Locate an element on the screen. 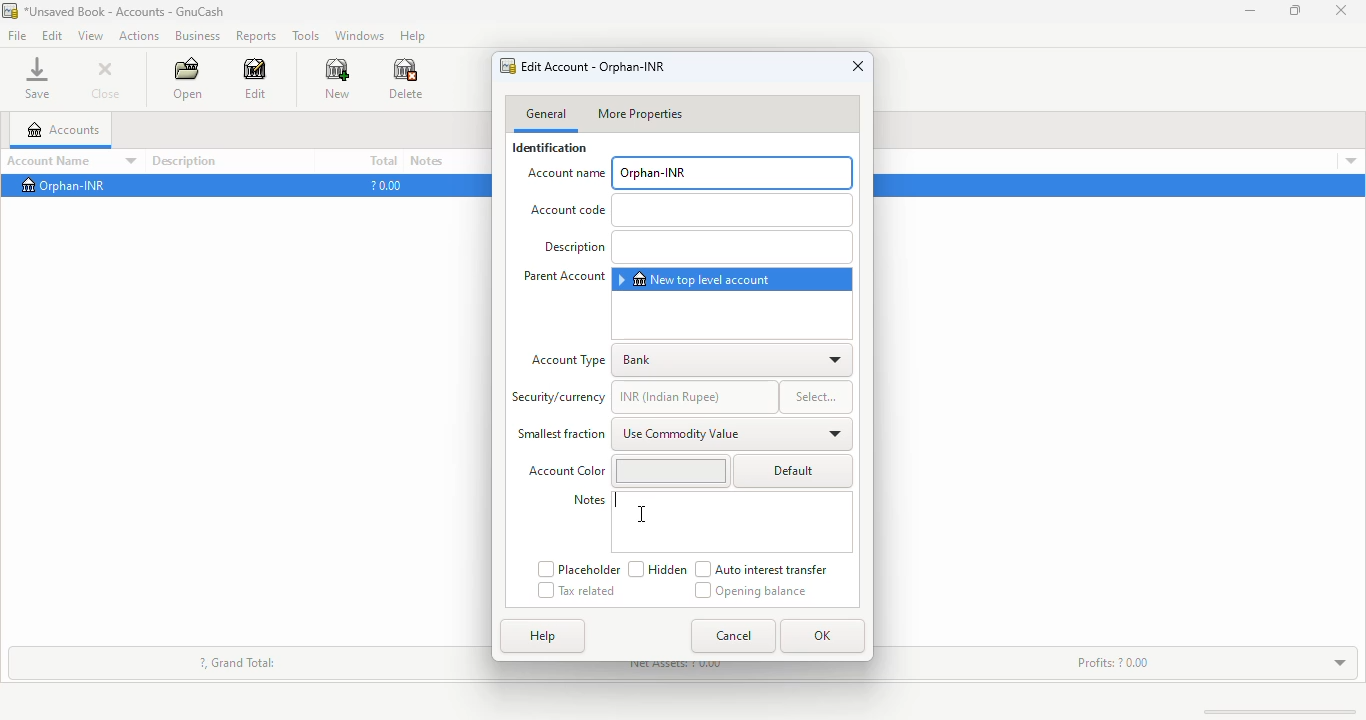 The image size is (1366, 720). windows is located at coordinates (359, 36).